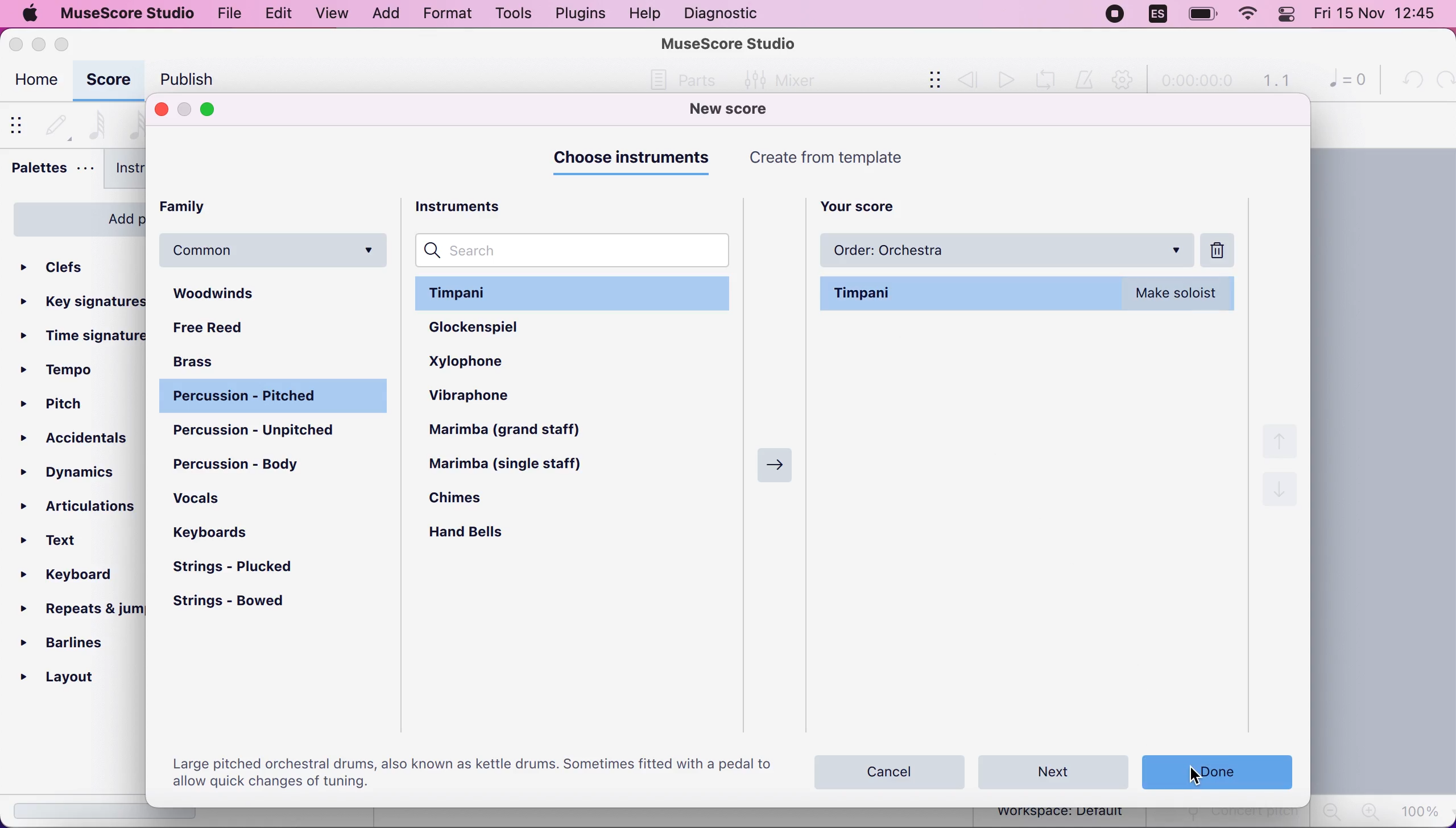 This screenshot has height=828, width=1456. What do you see at coordinates (1225, 251) in the screenshot?
I see `delete` at bounding box center [1225, 251].